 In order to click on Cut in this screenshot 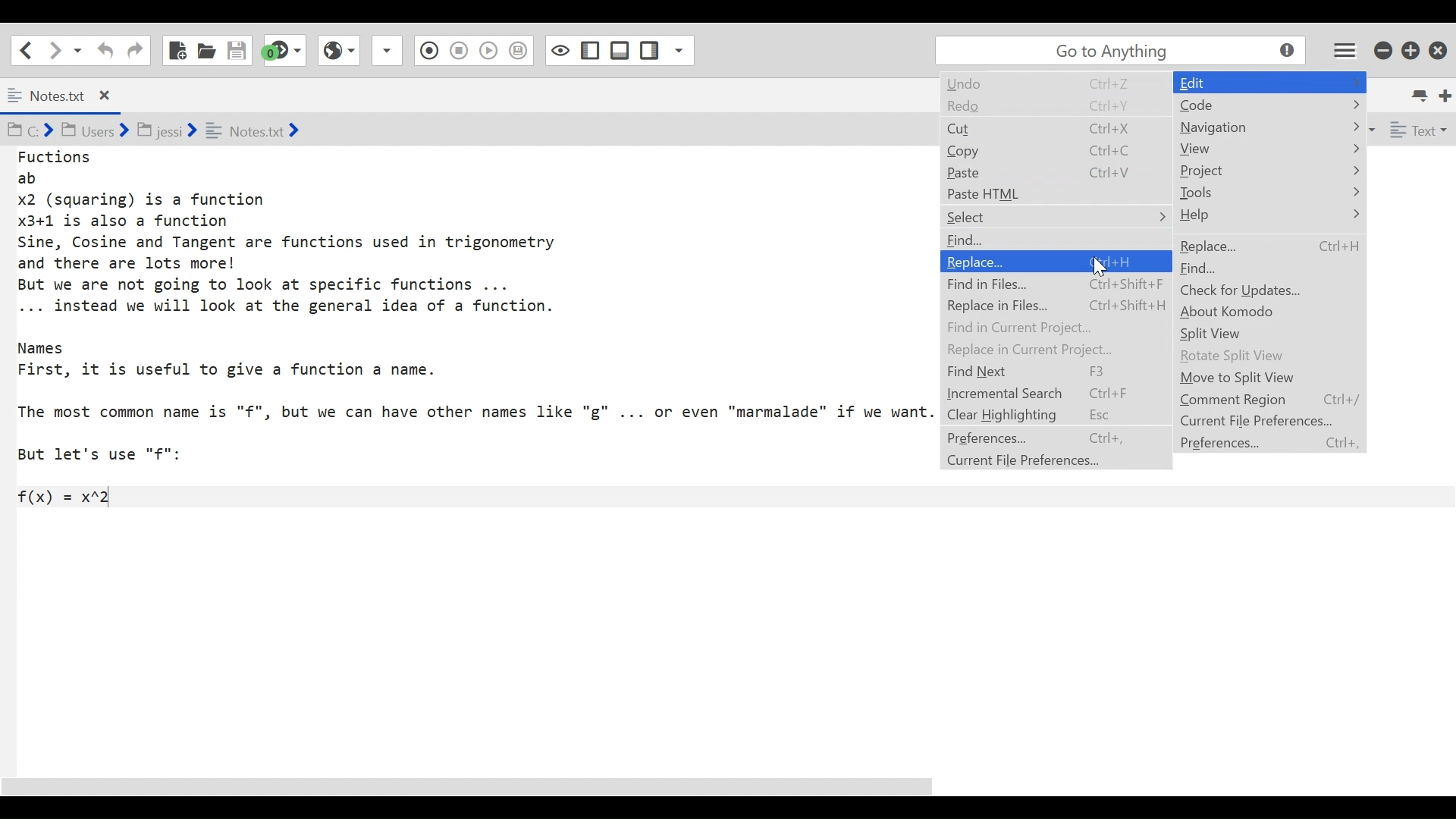, I will do `click(1040, 127)`.